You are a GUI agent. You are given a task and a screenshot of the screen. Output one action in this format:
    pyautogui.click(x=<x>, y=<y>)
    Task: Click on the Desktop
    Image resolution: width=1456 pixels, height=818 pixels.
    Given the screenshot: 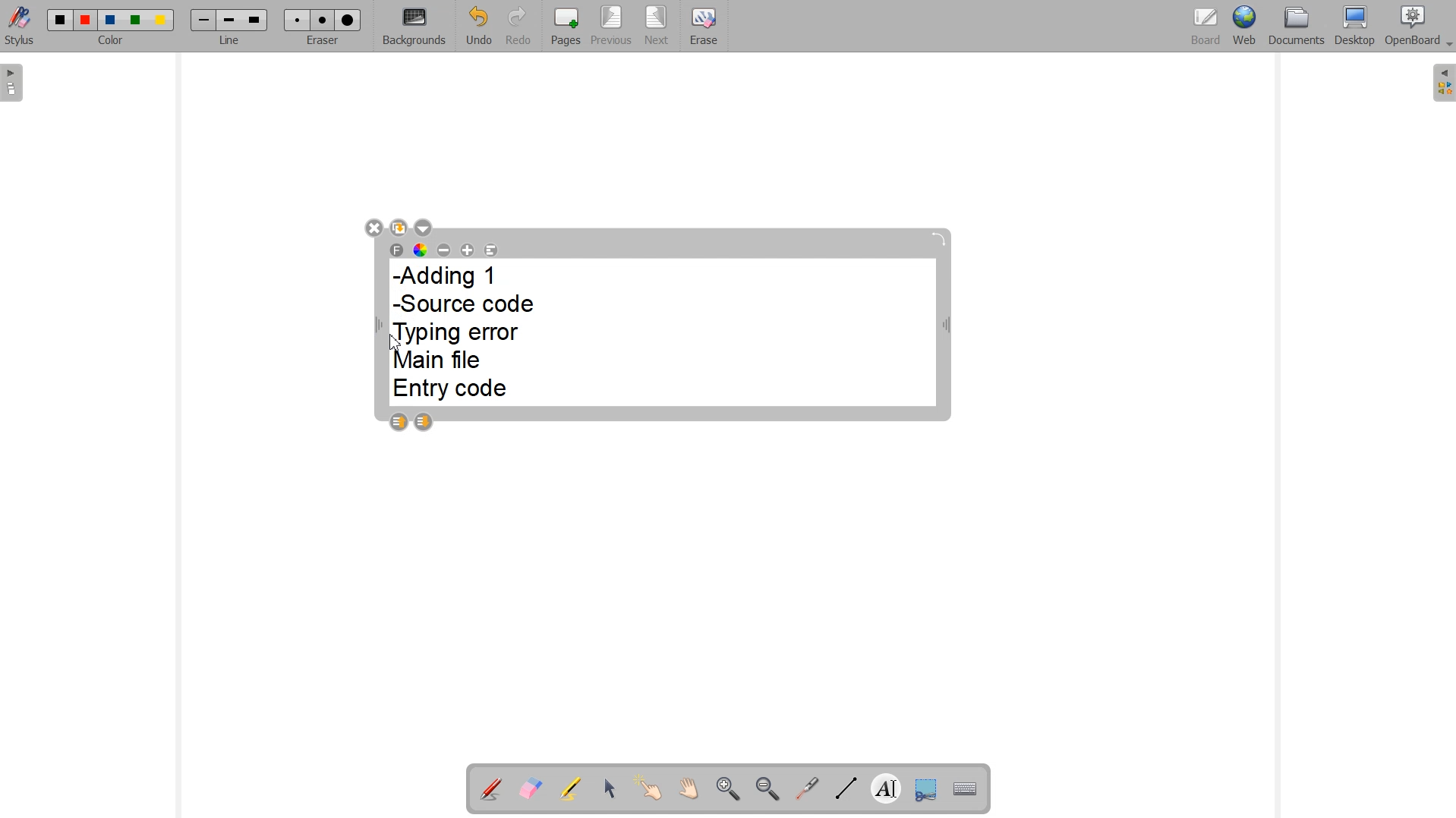 What is the action you would take?
    pyautogui.click(x=1355, y=27)
    